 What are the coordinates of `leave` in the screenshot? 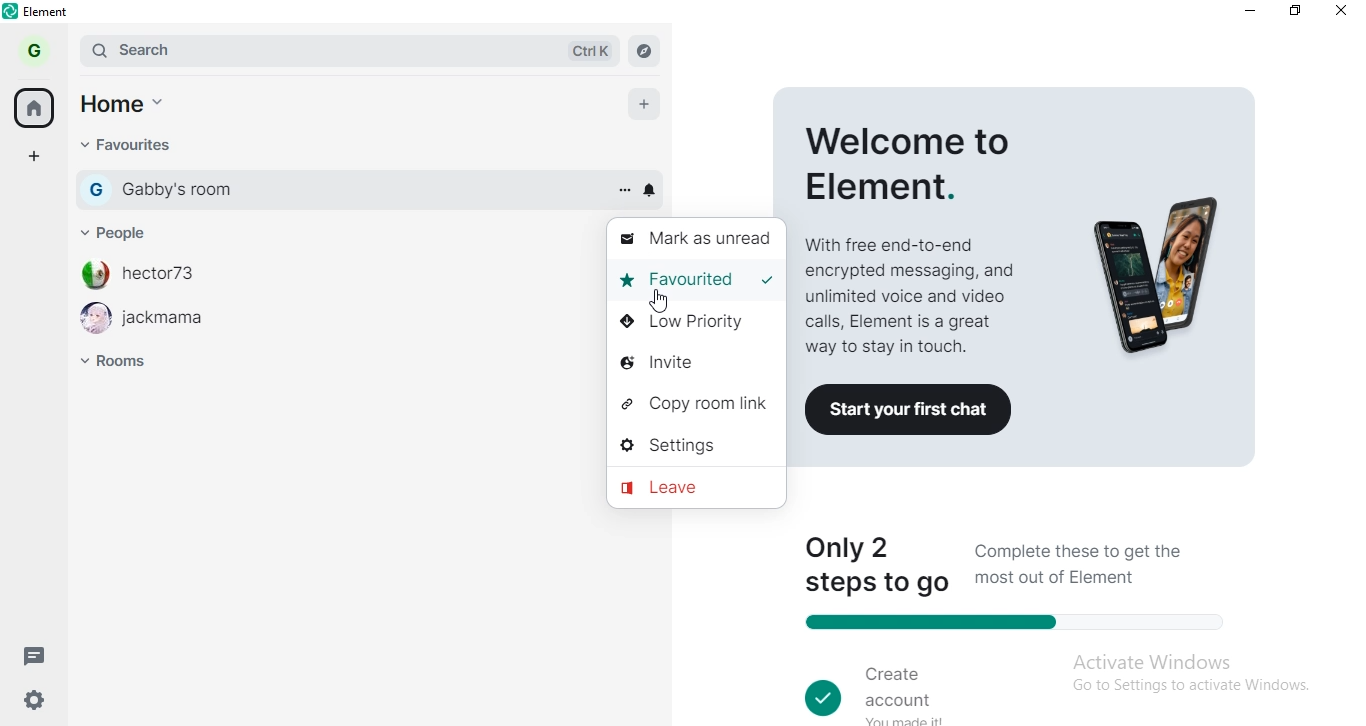 It's located at (695, 489).